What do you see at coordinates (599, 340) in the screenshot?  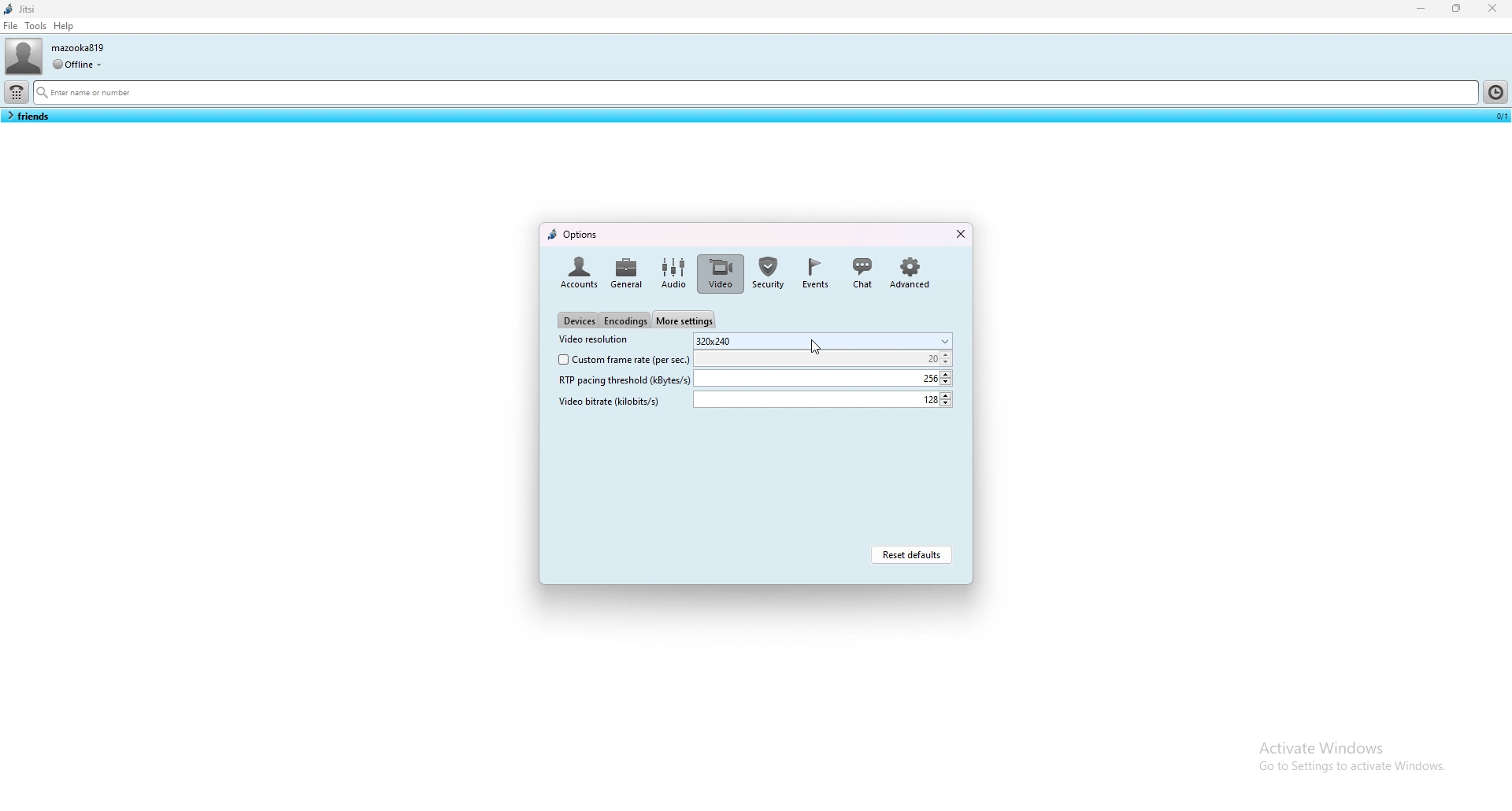 I see `video resolution` at bounding box center [599, 340].